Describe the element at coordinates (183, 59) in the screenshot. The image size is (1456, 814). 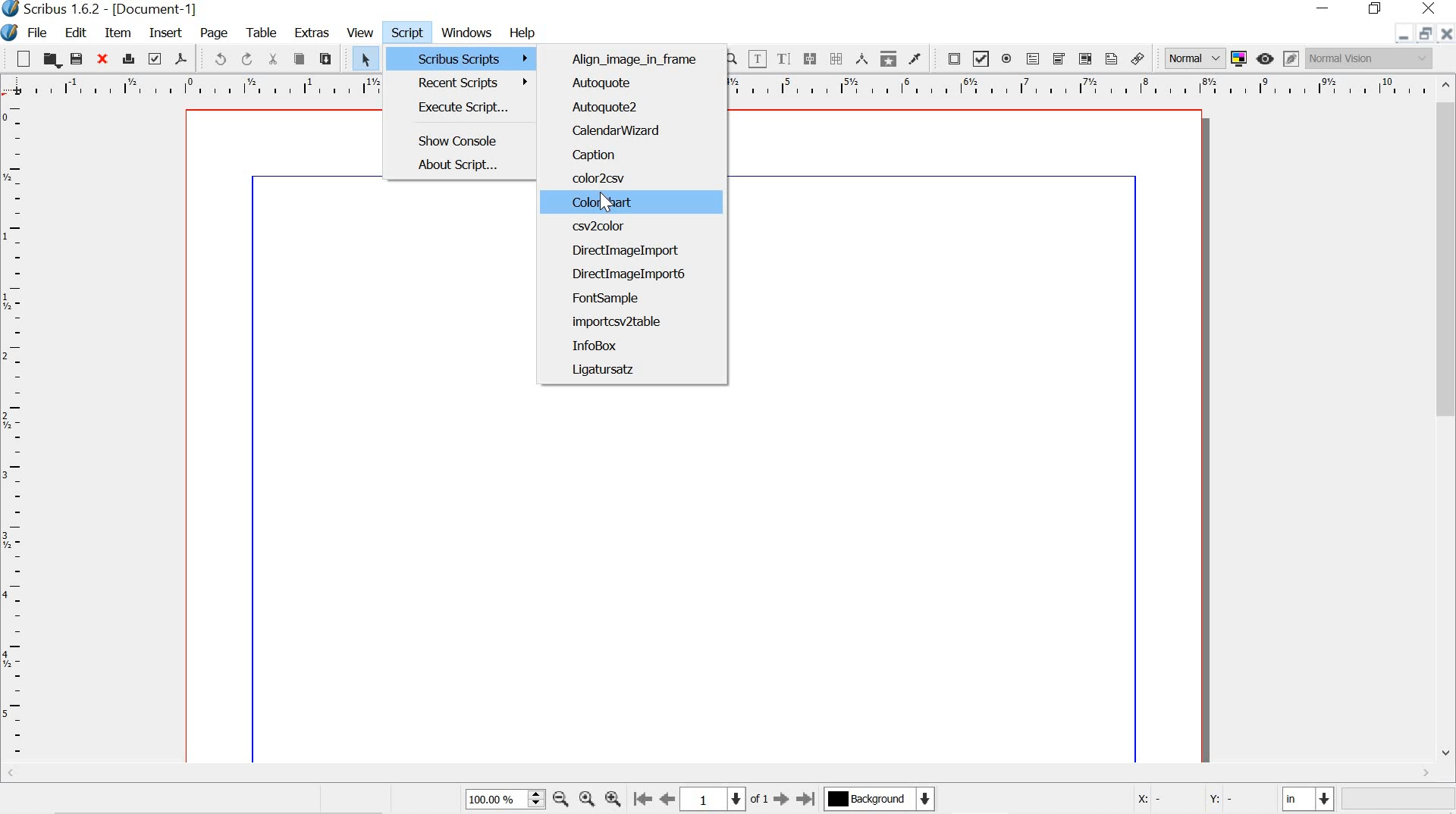
I see `save as pdf` at that location.